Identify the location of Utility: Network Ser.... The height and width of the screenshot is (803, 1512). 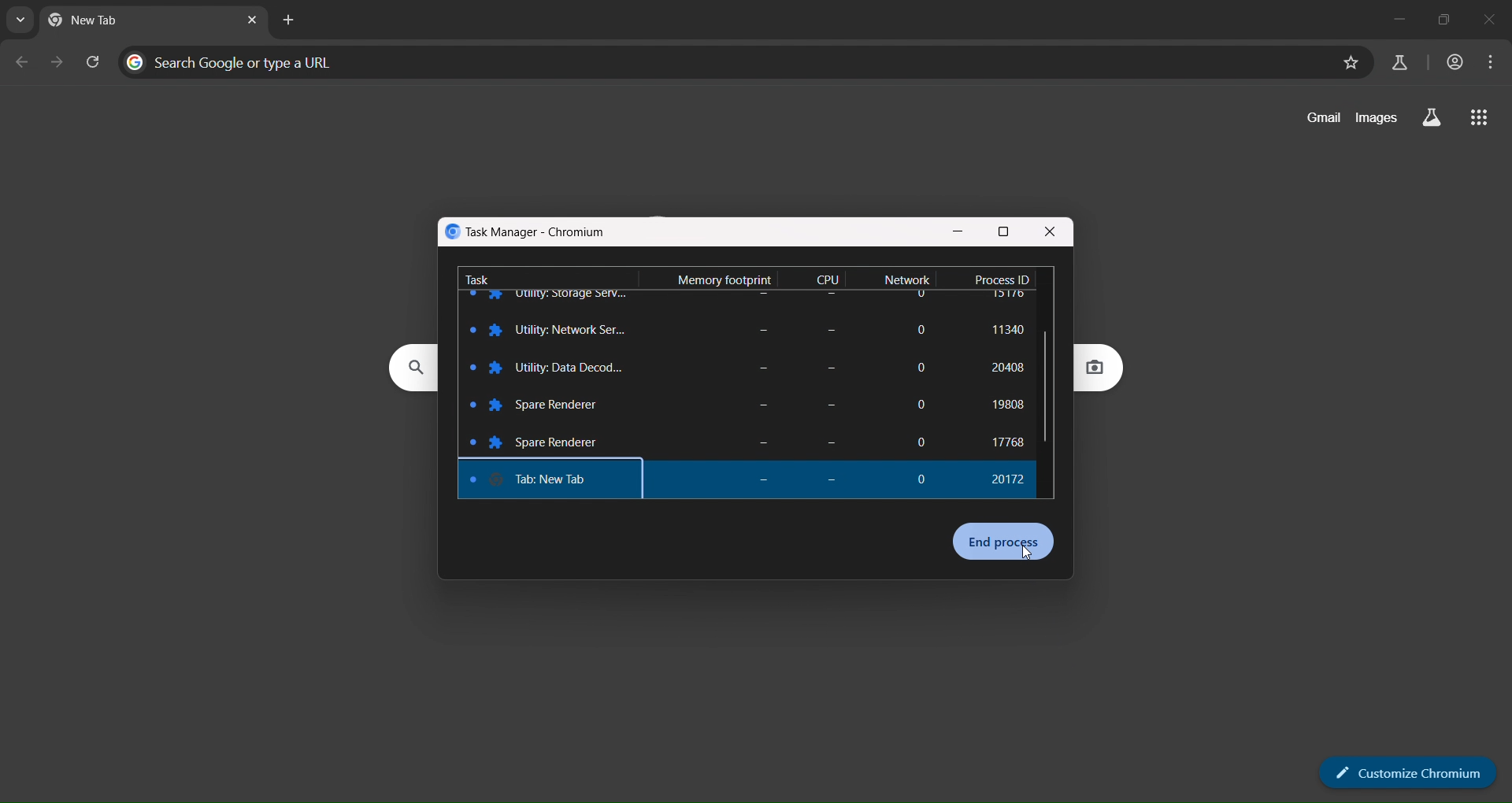
(573, 369).